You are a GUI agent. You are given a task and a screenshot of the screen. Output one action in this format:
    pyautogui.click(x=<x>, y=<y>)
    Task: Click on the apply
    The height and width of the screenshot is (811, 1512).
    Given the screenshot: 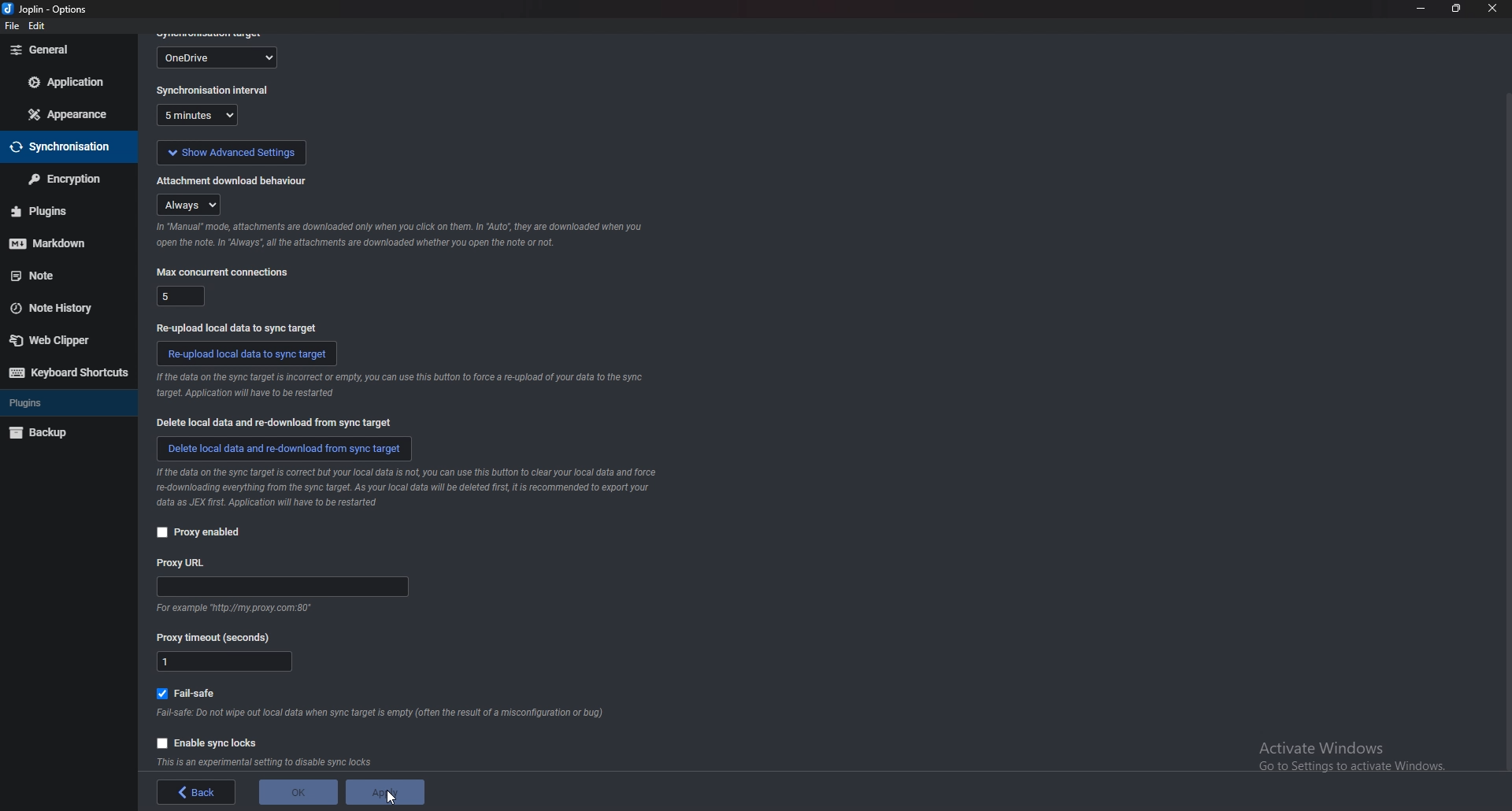 What is the action you would take?
    pyautogui.click(x=386, y=794)
    